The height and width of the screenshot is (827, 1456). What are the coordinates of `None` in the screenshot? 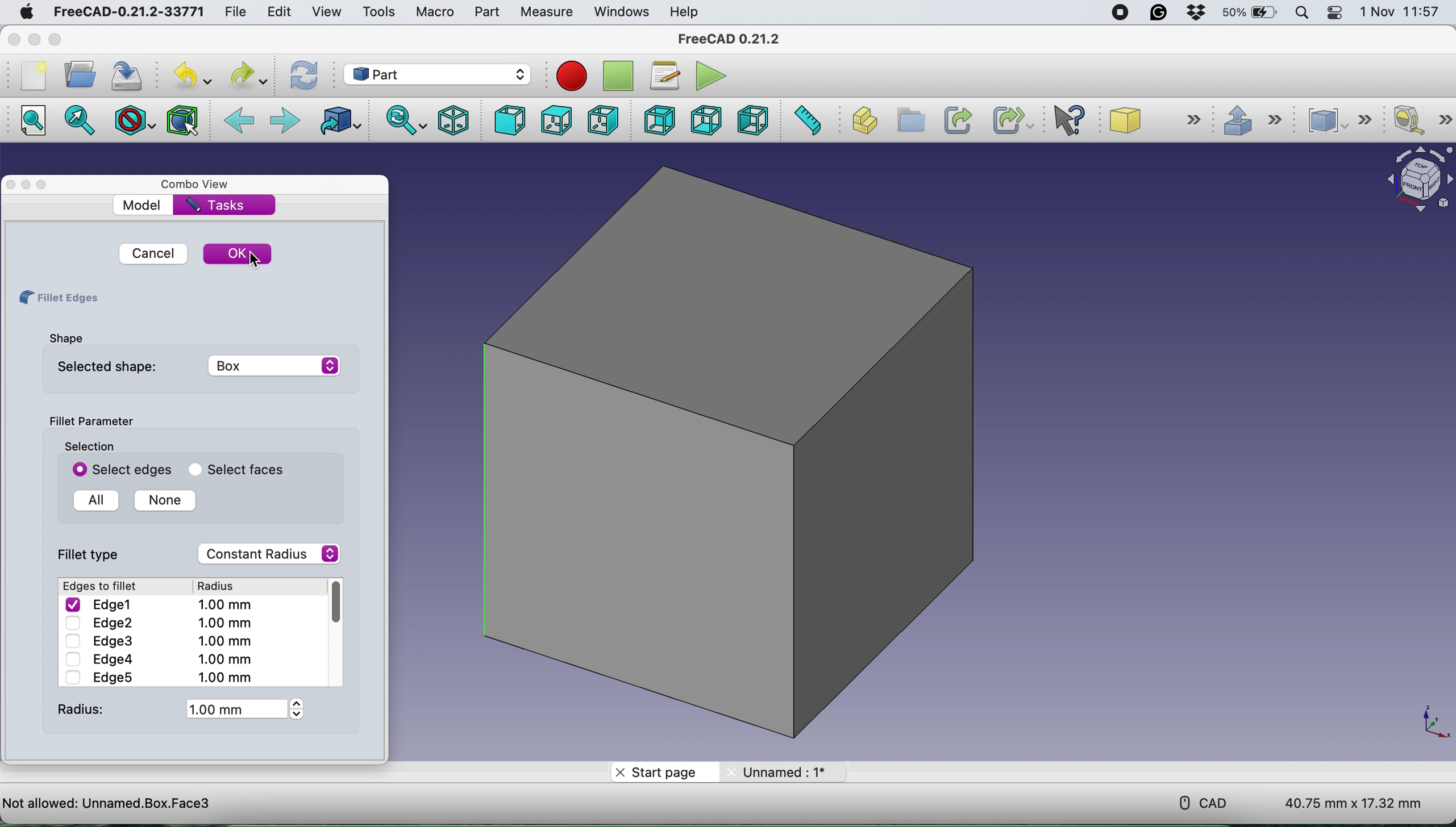 It's located at (160, 500).